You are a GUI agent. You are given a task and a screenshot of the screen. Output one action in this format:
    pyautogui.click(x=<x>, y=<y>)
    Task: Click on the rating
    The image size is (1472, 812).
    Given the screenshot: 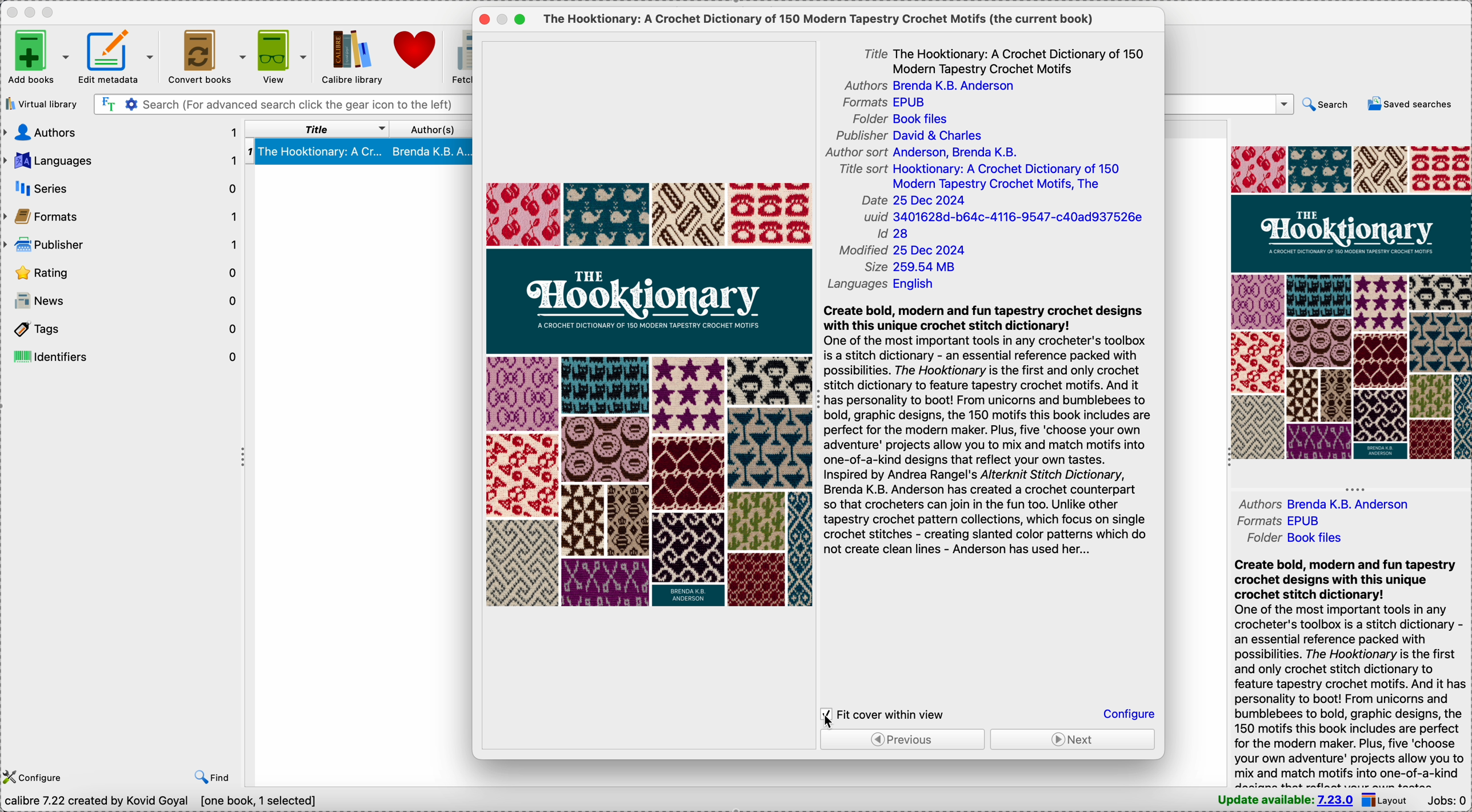 What is the action you would take?
    pyautogui.click(x=123, y=272)
    